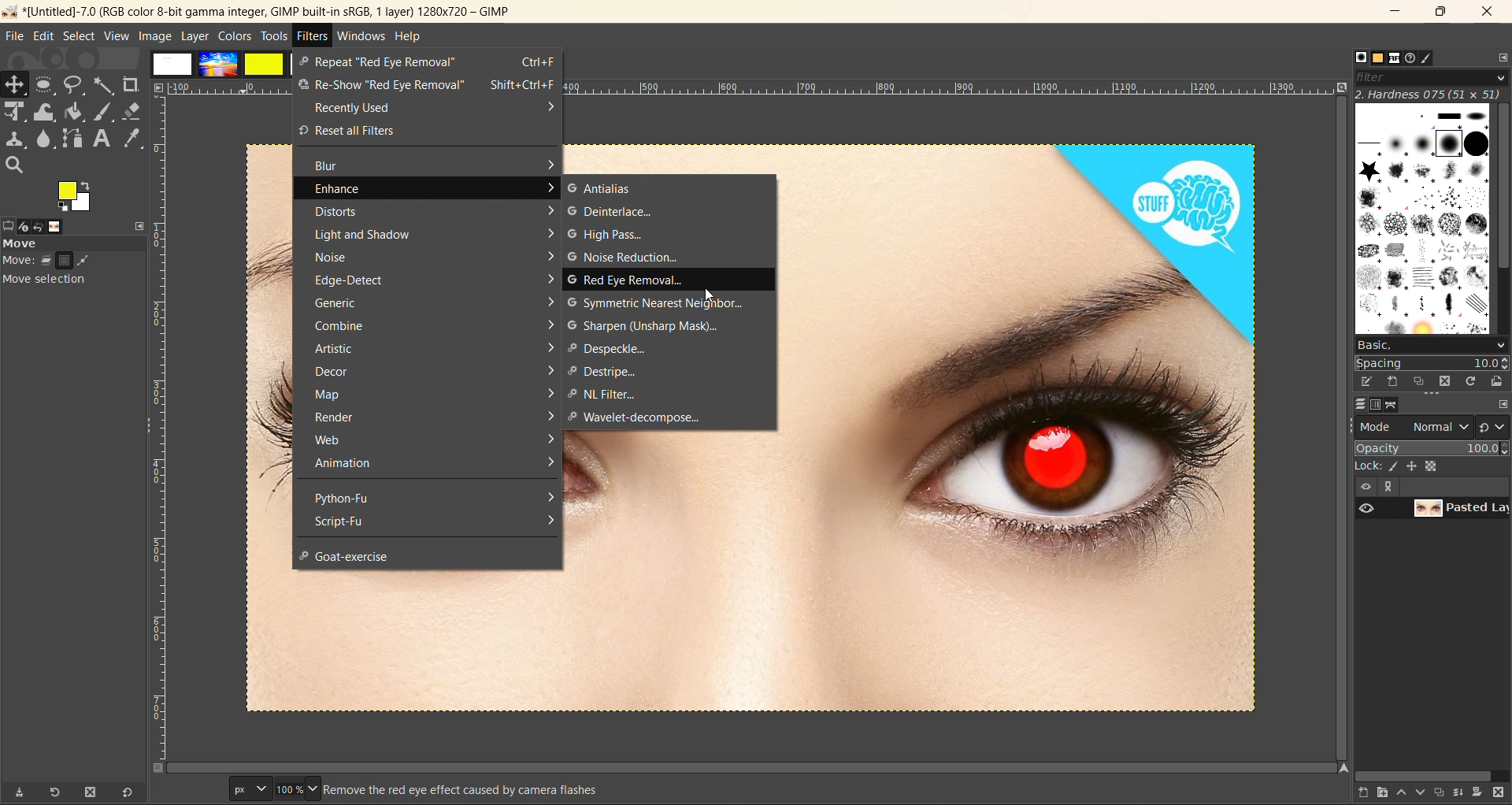 This screenshot has height=805, width=1512. Describe the element at coordinates (433, 259) in the screenshot. I see `noise` at that location.